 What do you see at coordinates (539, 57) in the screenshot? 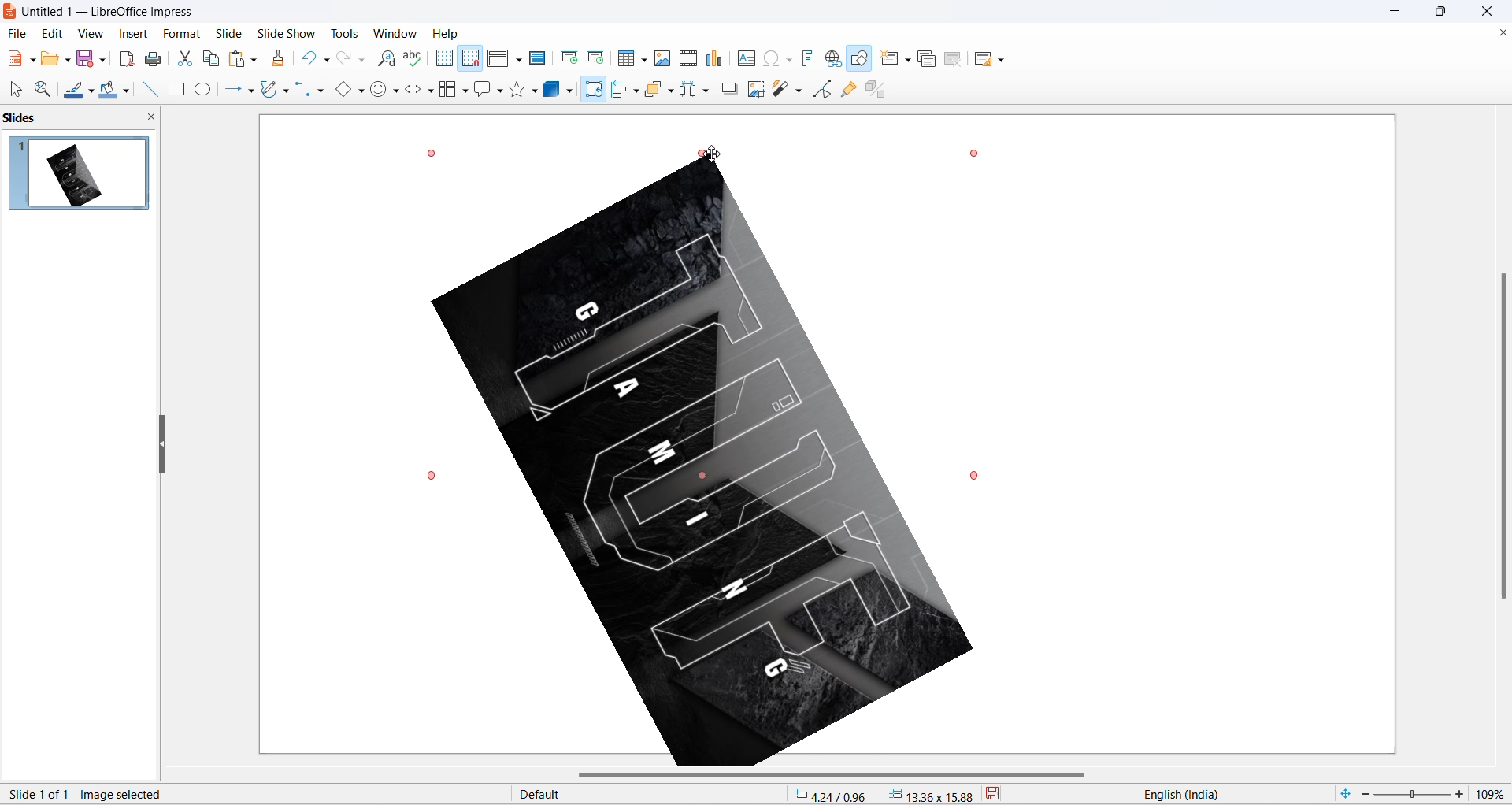
I see `master slide` at bounding box center [539, 57].